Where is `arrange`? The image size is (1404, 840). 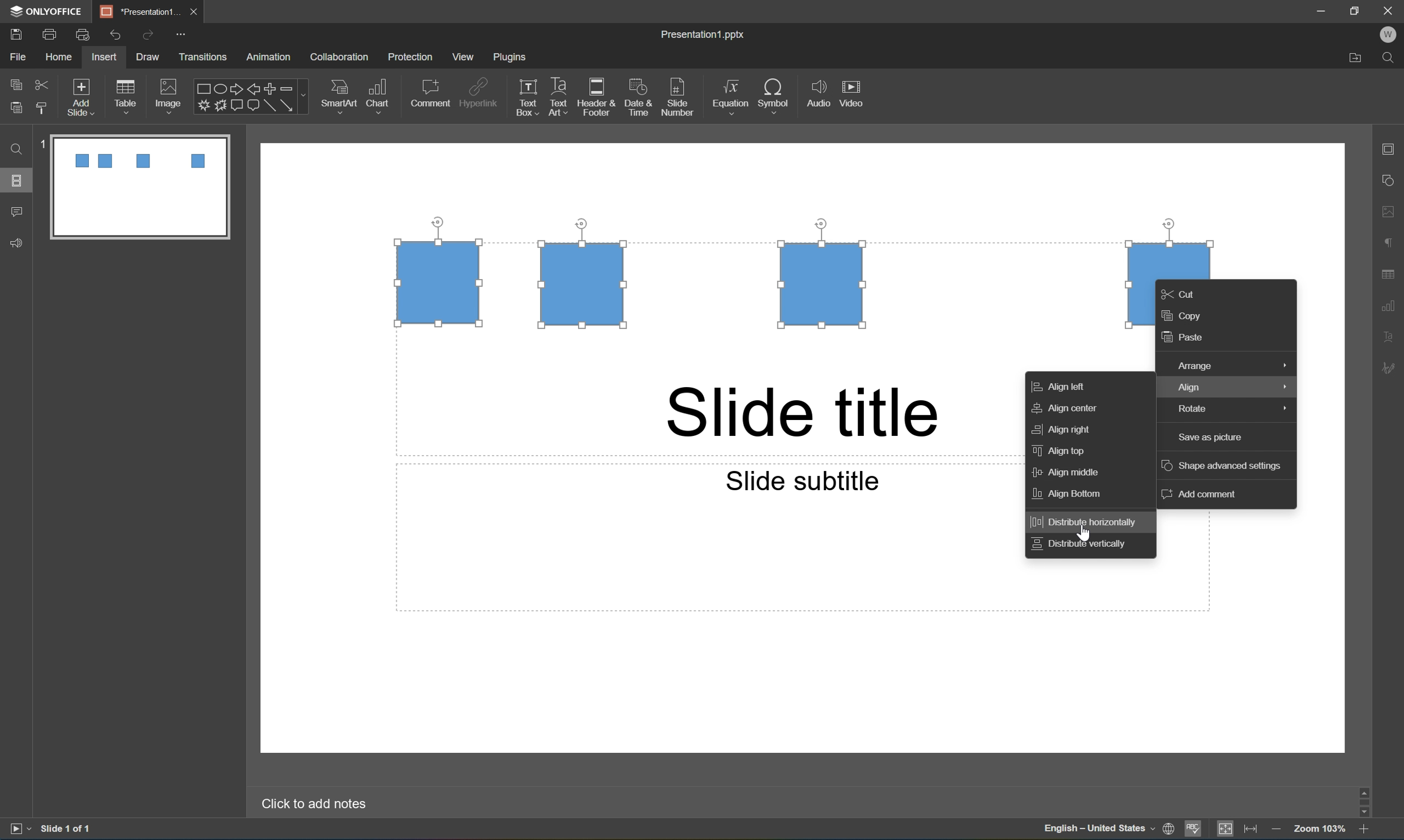 arrange is located at coordinates (1230, 363).